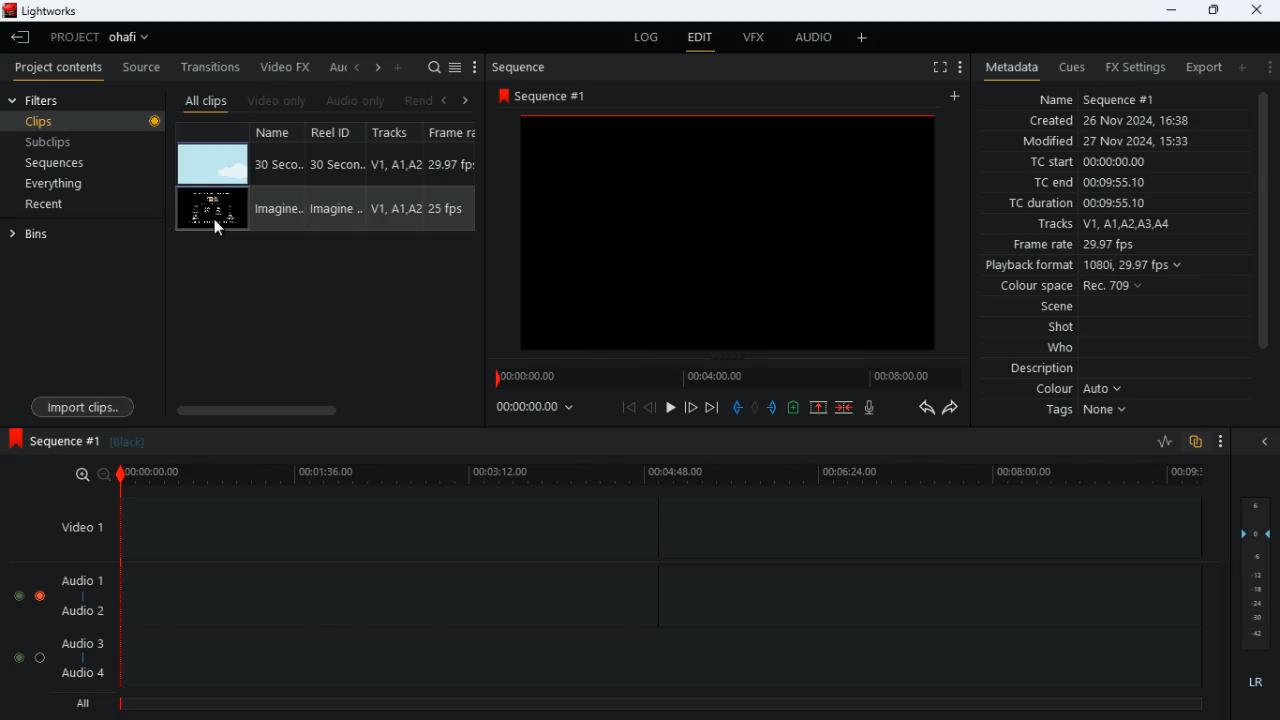 The image size is (1280, 720). I want to click on full screen, so click(932, 68).